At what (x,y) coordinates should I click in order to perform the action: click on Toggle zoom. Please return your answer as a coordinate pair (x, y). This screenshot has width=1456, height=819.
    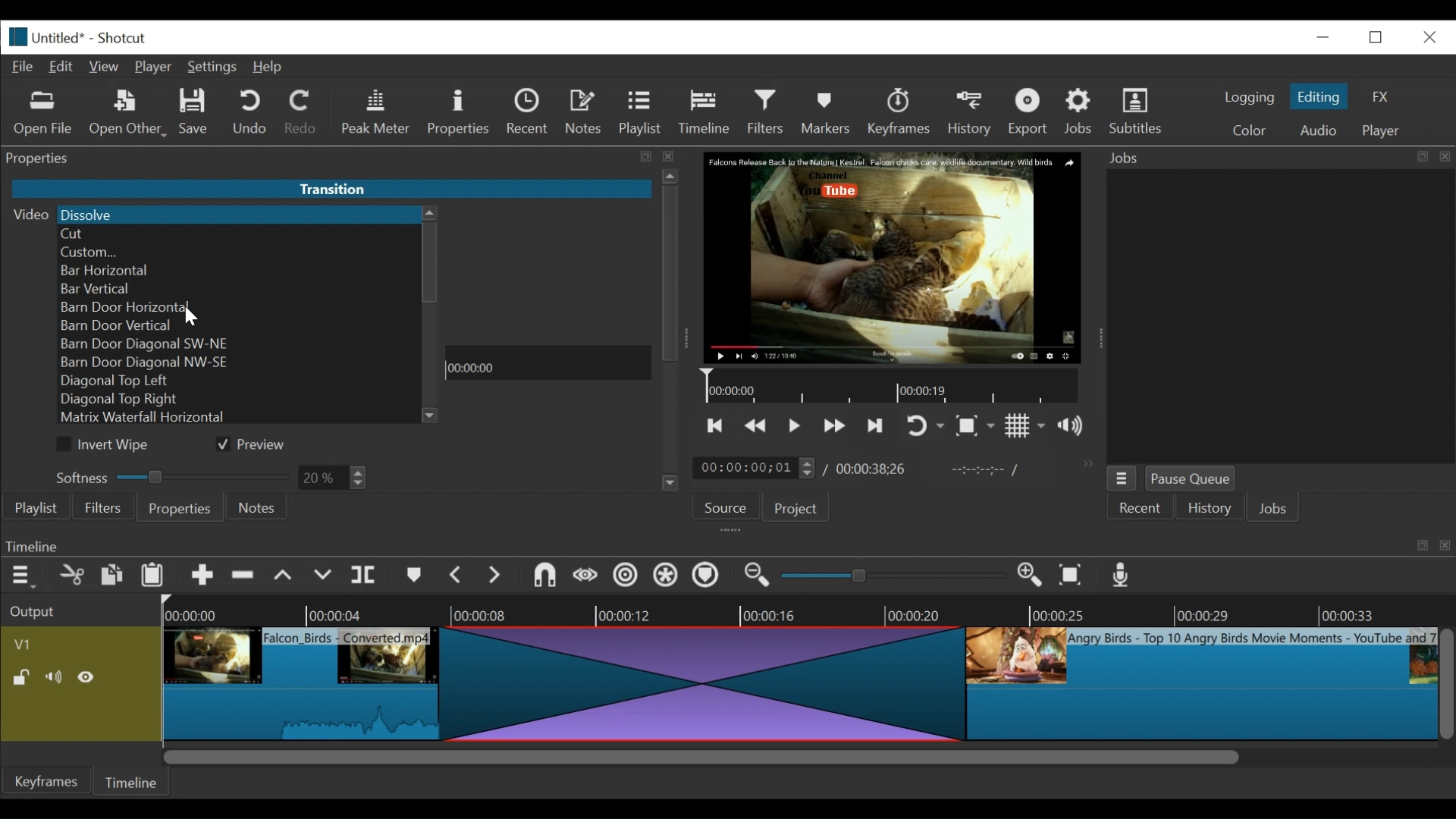
    Looking at the image, I should click on (974, 427).